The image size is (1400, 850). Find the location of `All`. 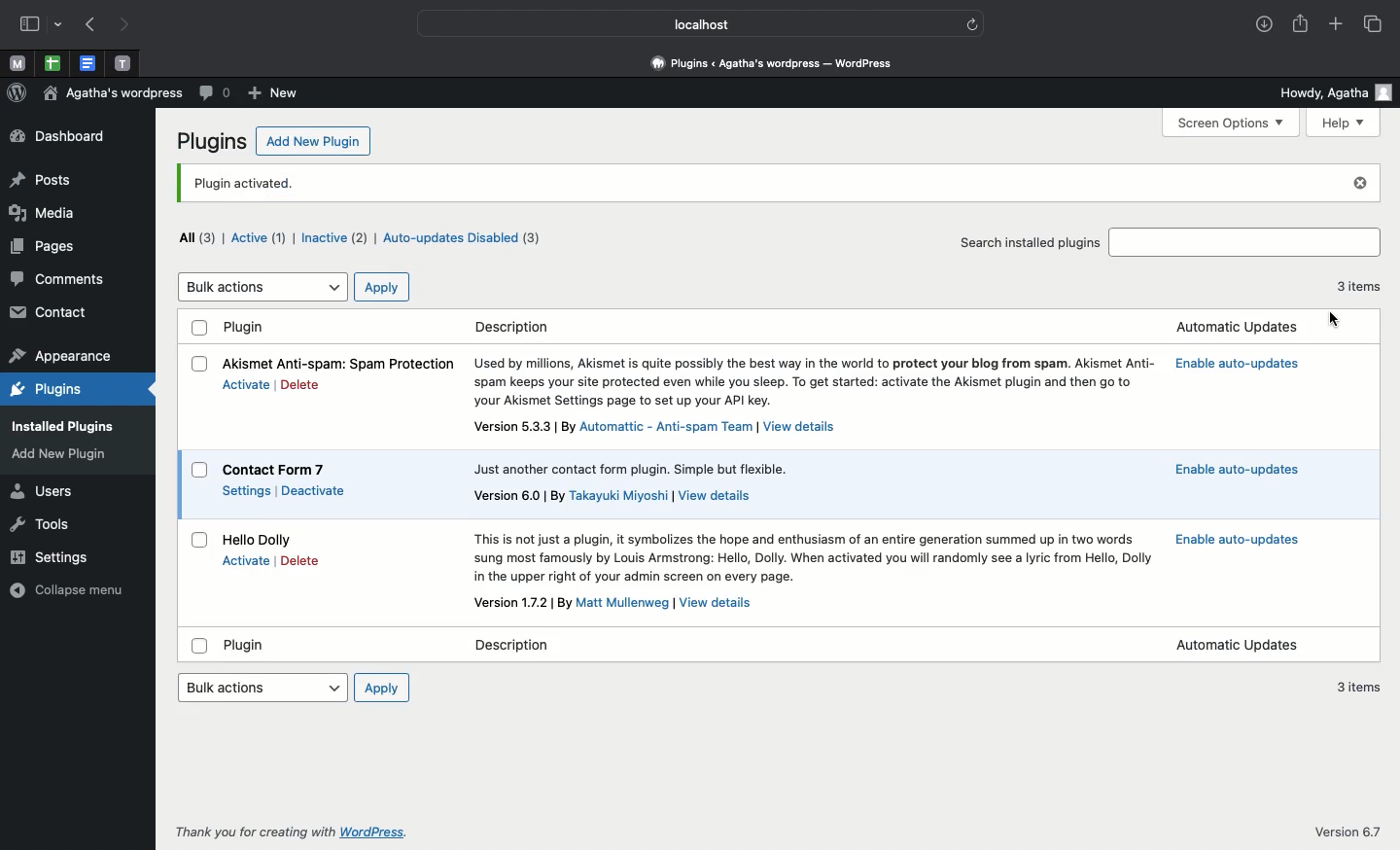

All is located at coordinates (197, 240).